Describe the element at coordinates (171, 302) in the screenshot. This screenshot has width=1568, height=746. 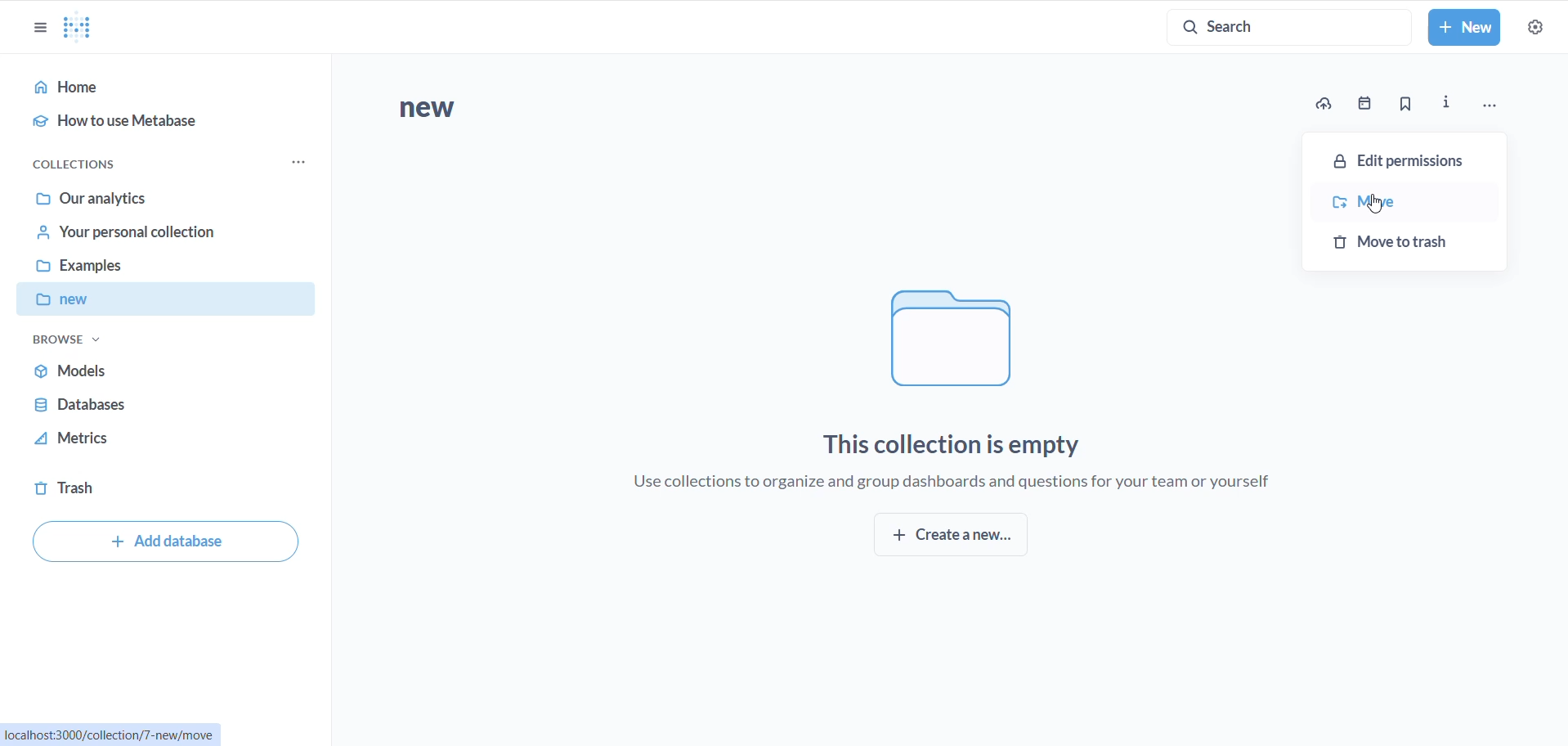
I see `new` at that location.